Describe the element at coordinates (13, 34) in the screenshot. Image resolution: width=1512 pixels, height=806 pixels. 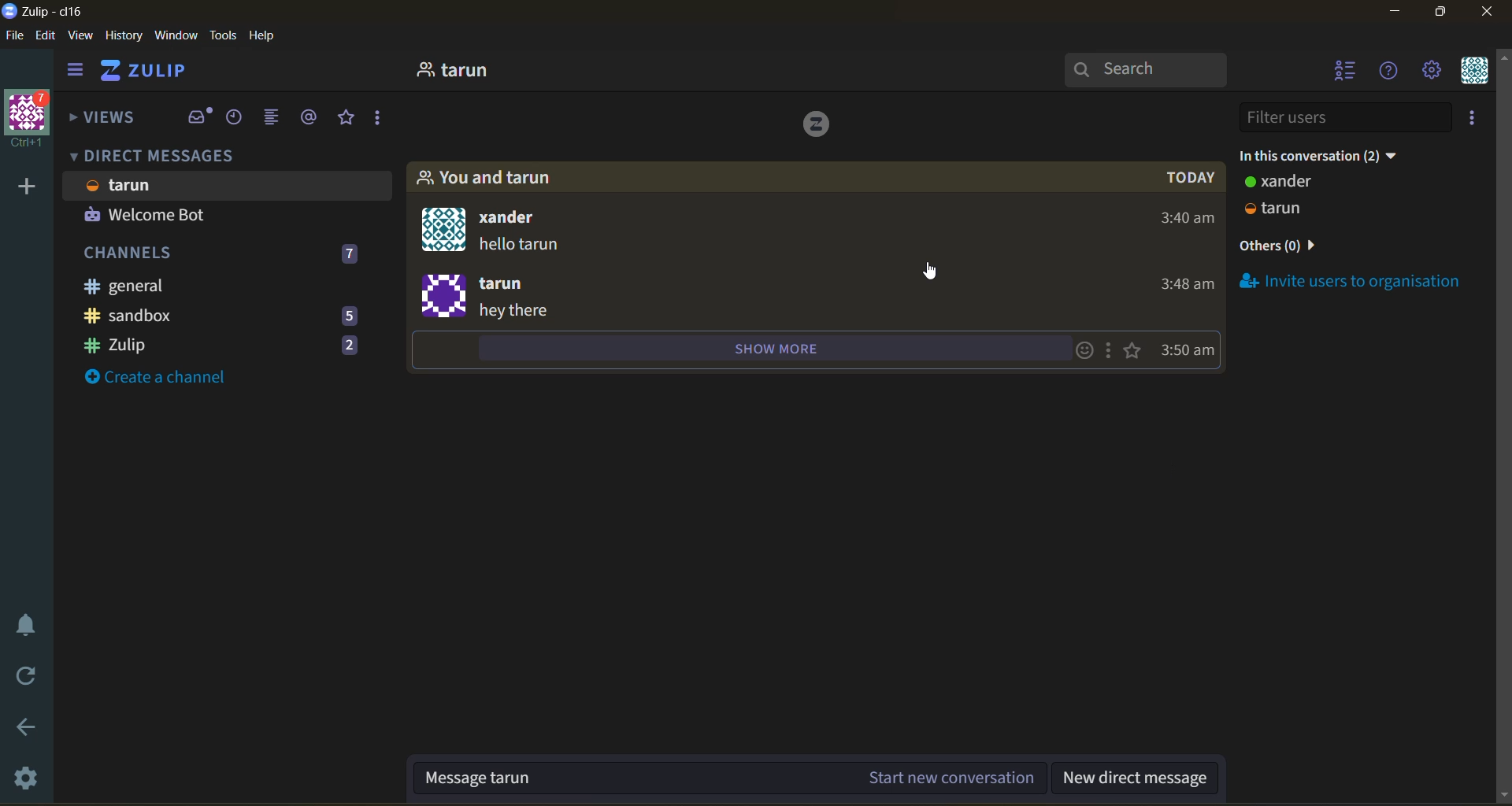
I see `file` at that location.